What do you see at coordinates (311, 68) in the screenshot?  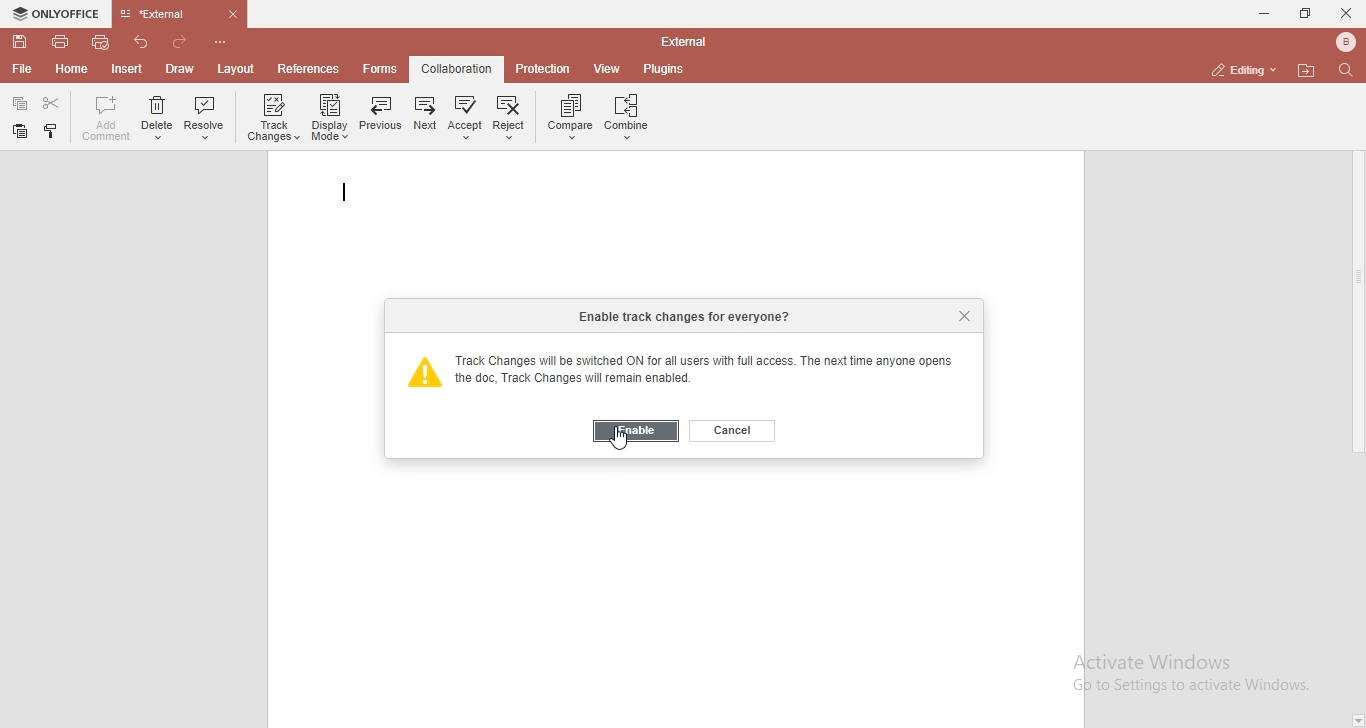 I see `references` at bounding box center [311, 68].